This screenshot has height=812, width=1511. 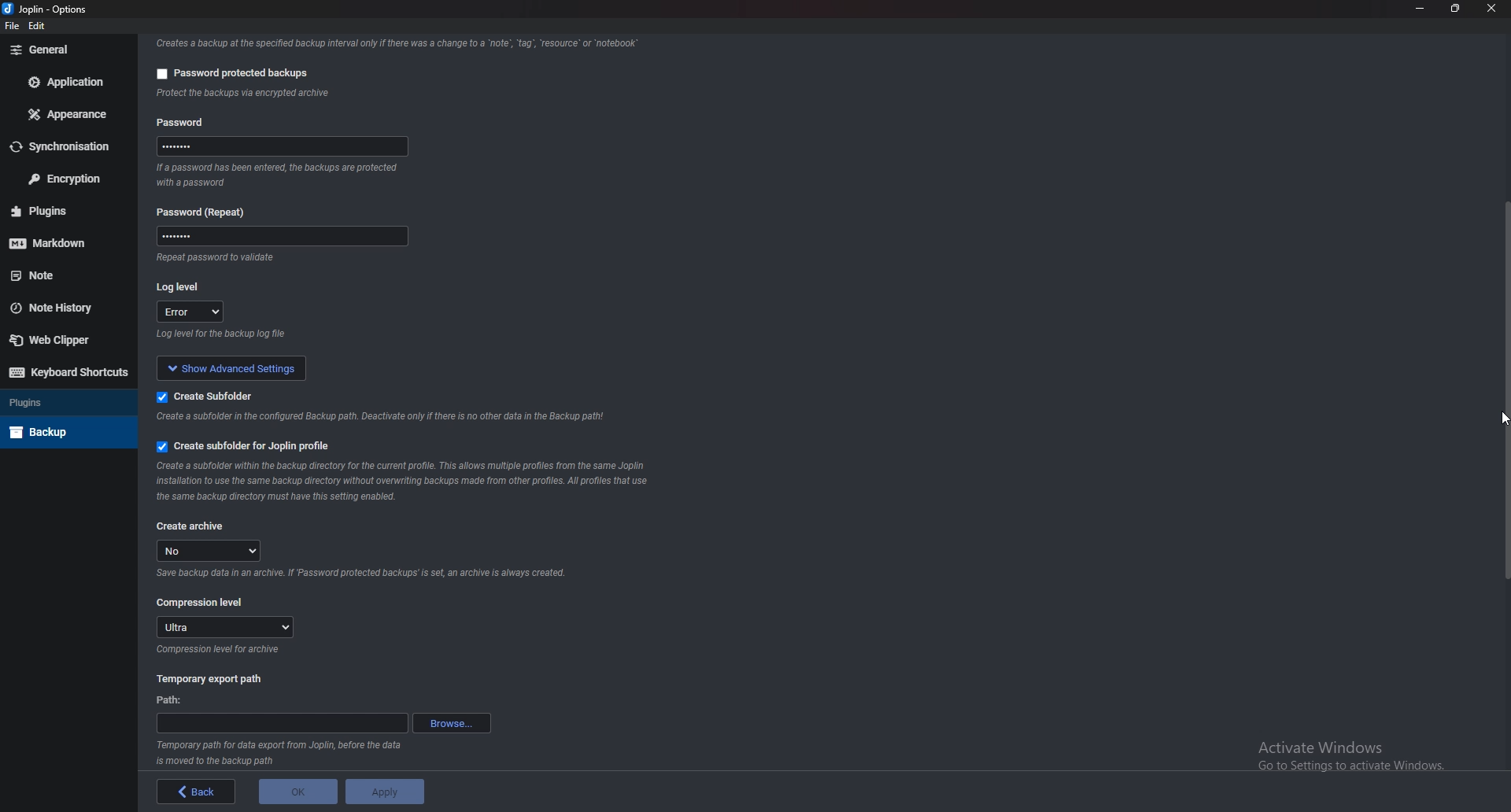 What do you see at coordinates (220, 651) in the screenshot?
I see `Info` at bounding box center [220, 651].